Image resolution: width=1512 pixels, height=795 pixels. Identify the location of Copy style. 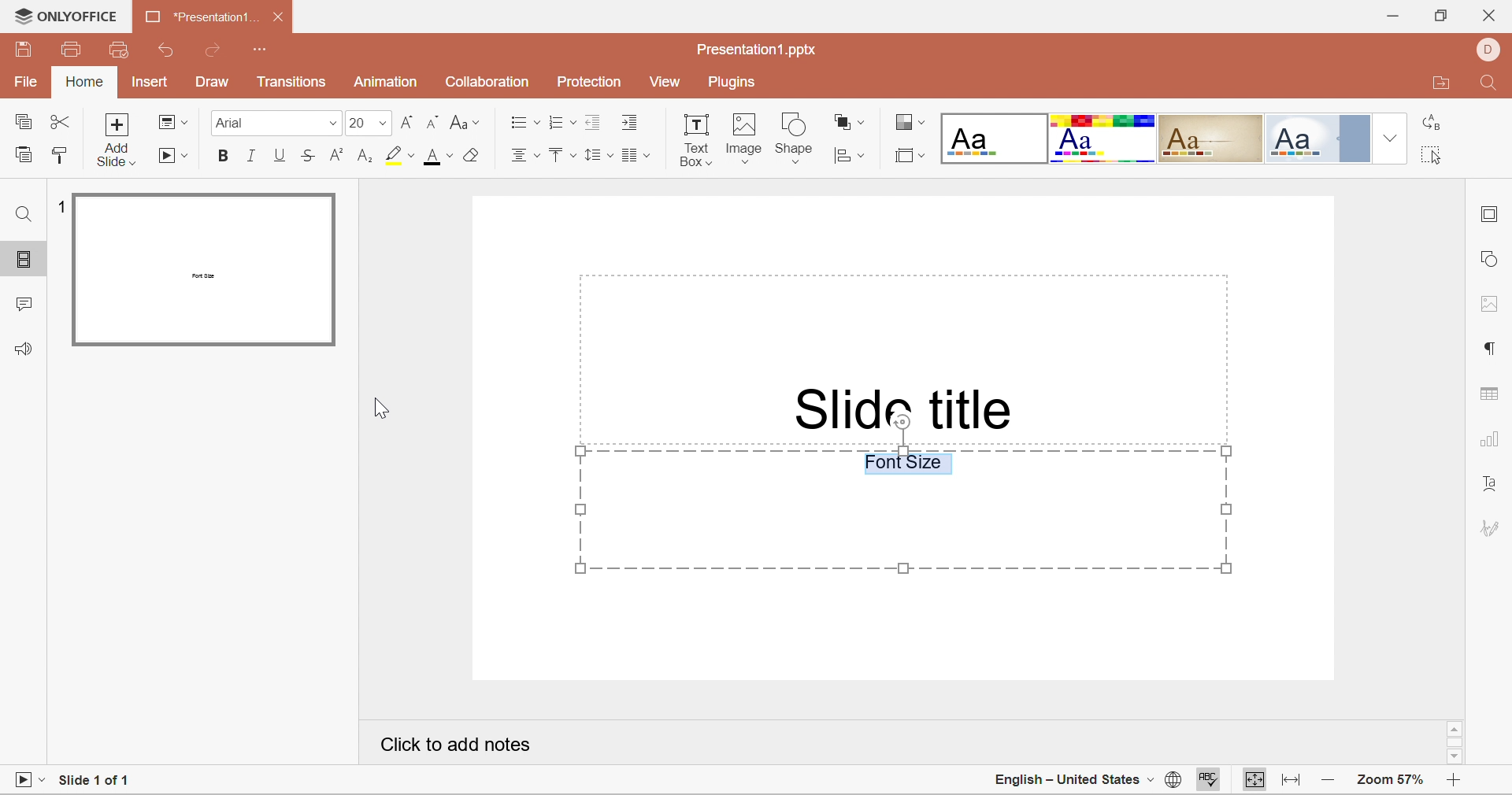
(61, 157).